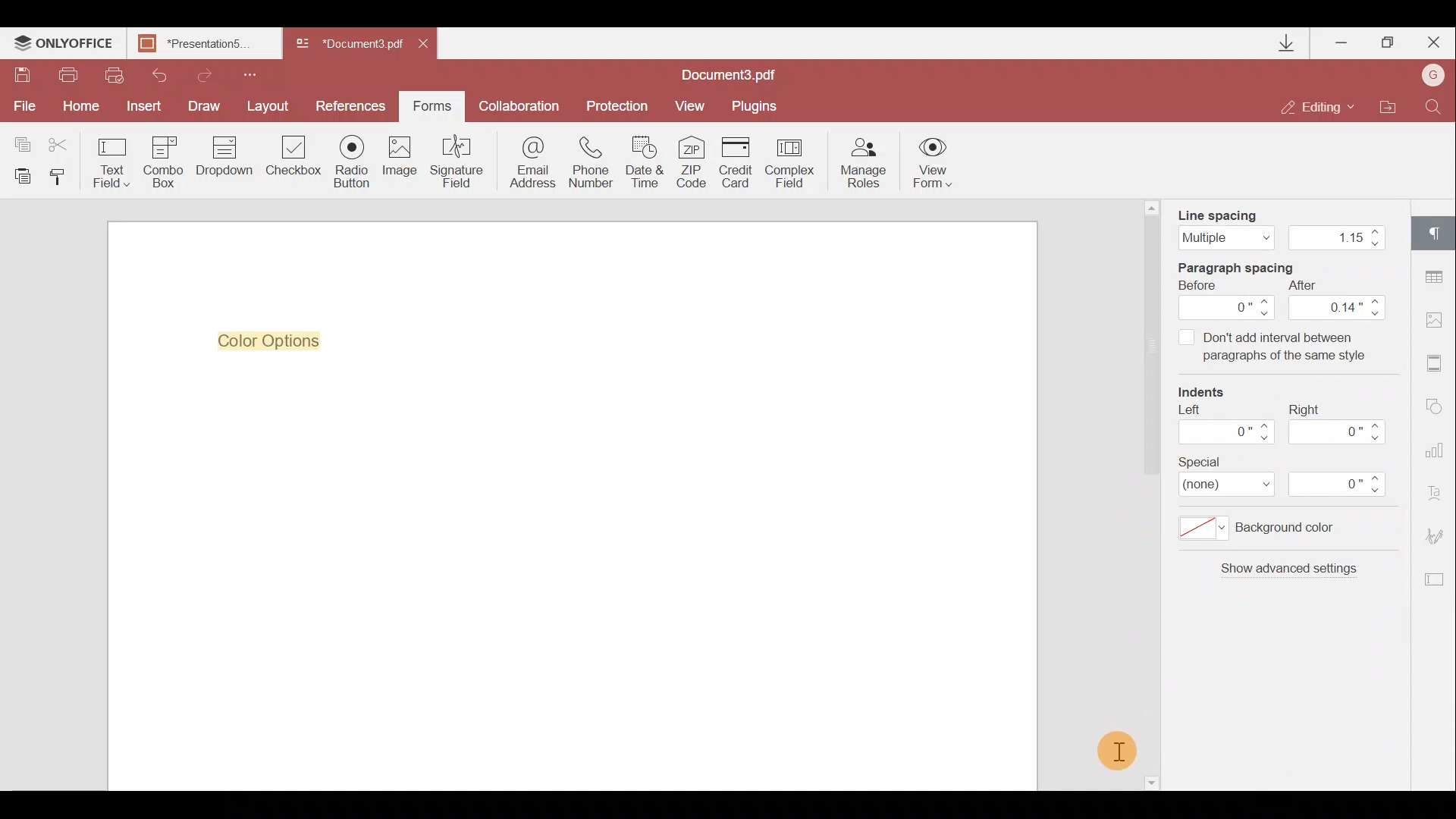 This screenshot has height=819, width=1456. I want to click on Email address, so click(527, 166).